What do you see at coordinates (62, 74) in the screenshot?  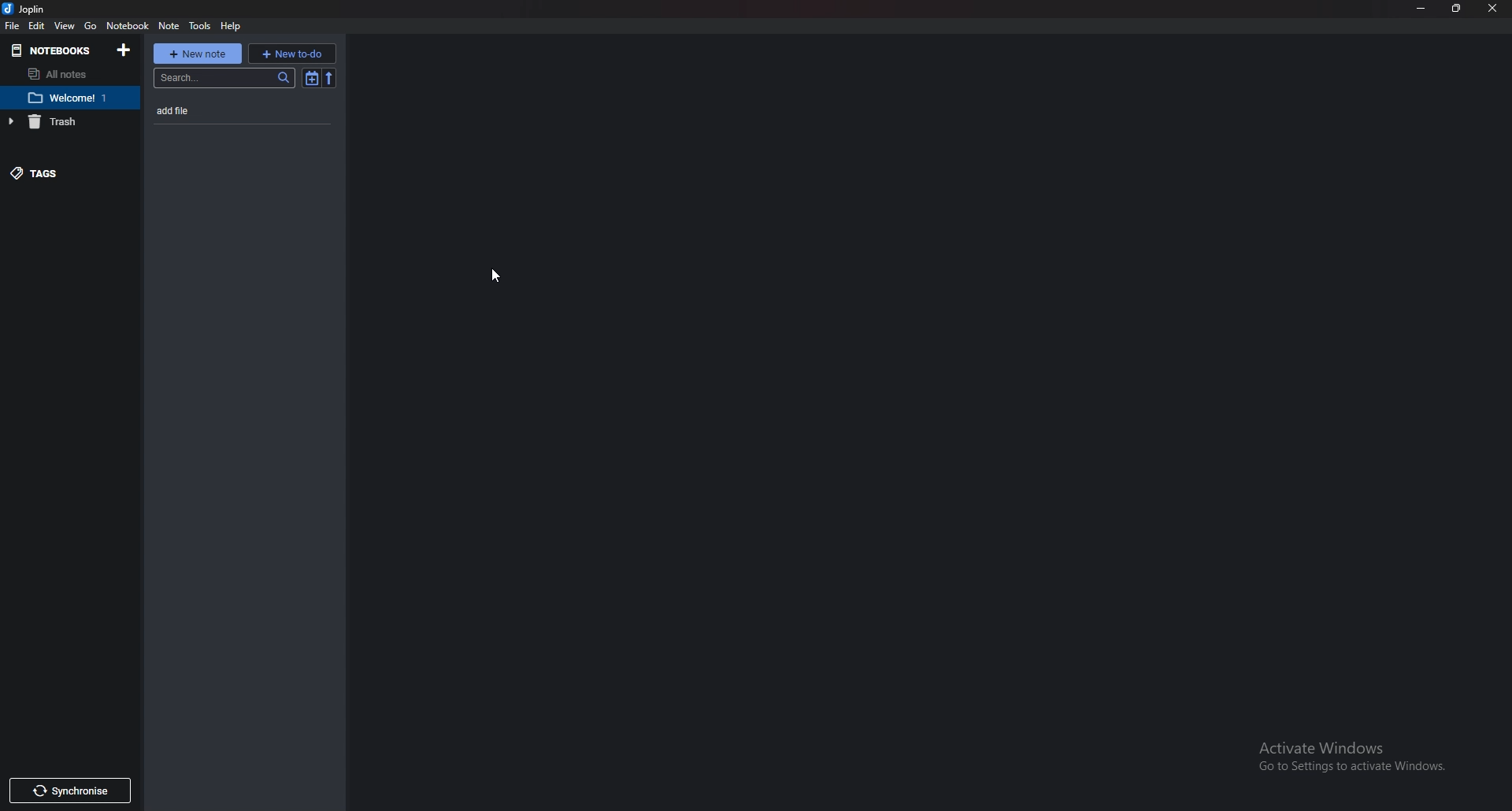 I see `All notes` at bounding box center [62, 74].